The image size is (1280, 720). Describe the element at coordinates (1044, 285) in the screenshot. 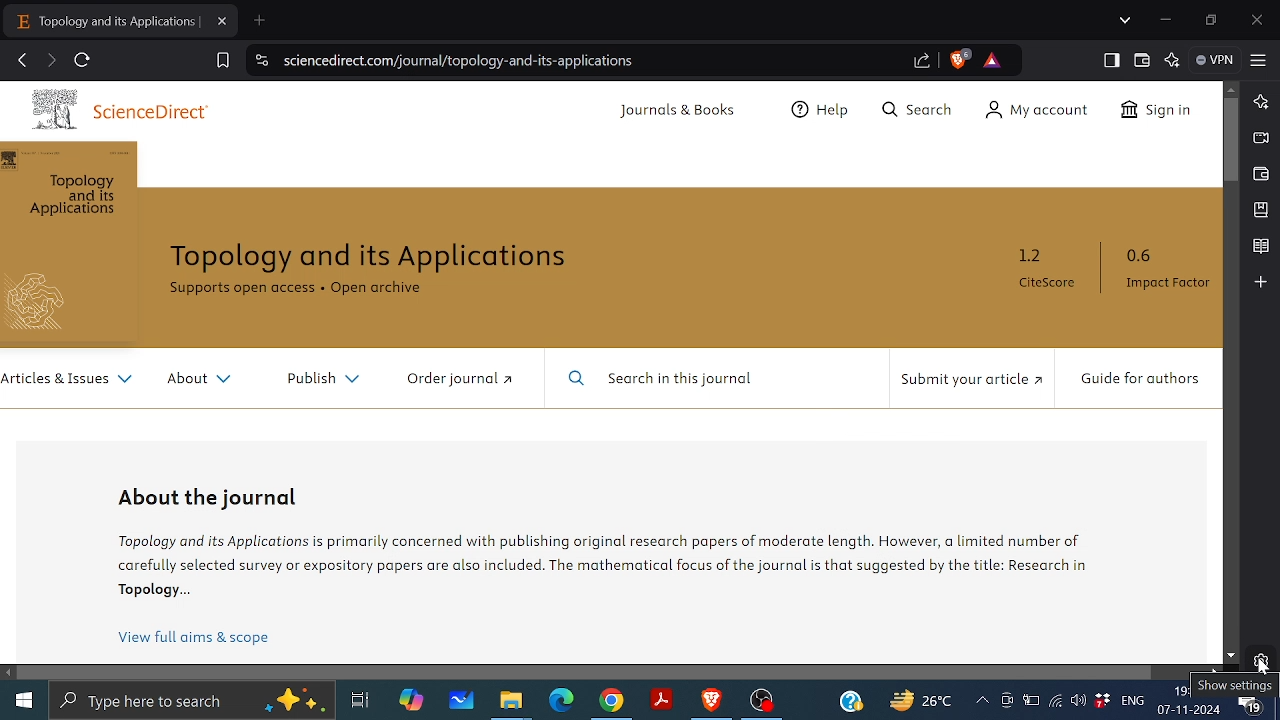

I see `CiteScore` at that location.